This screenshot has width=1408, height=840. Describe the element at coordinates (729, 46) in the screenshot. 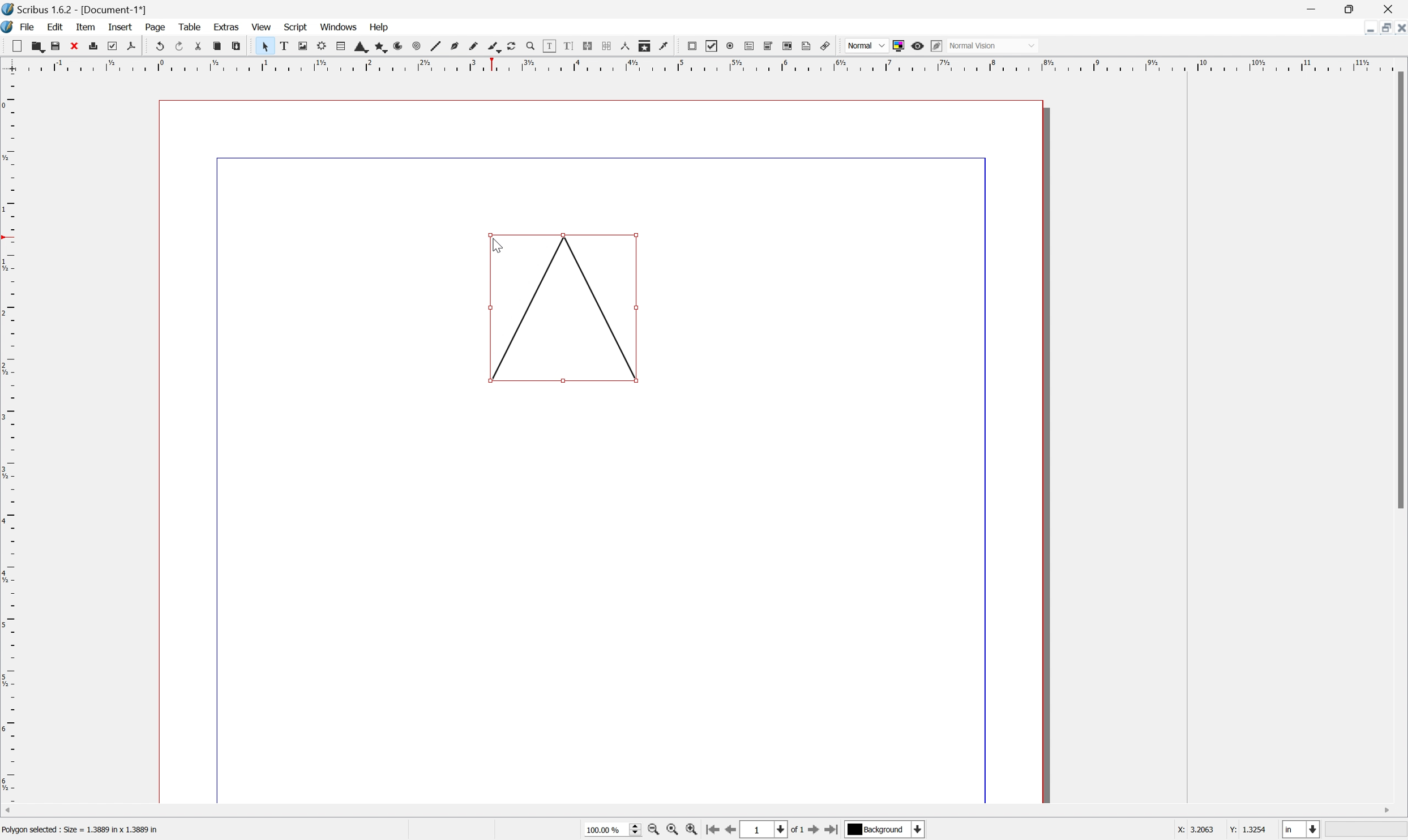

I see `PDF radio button` at that location.